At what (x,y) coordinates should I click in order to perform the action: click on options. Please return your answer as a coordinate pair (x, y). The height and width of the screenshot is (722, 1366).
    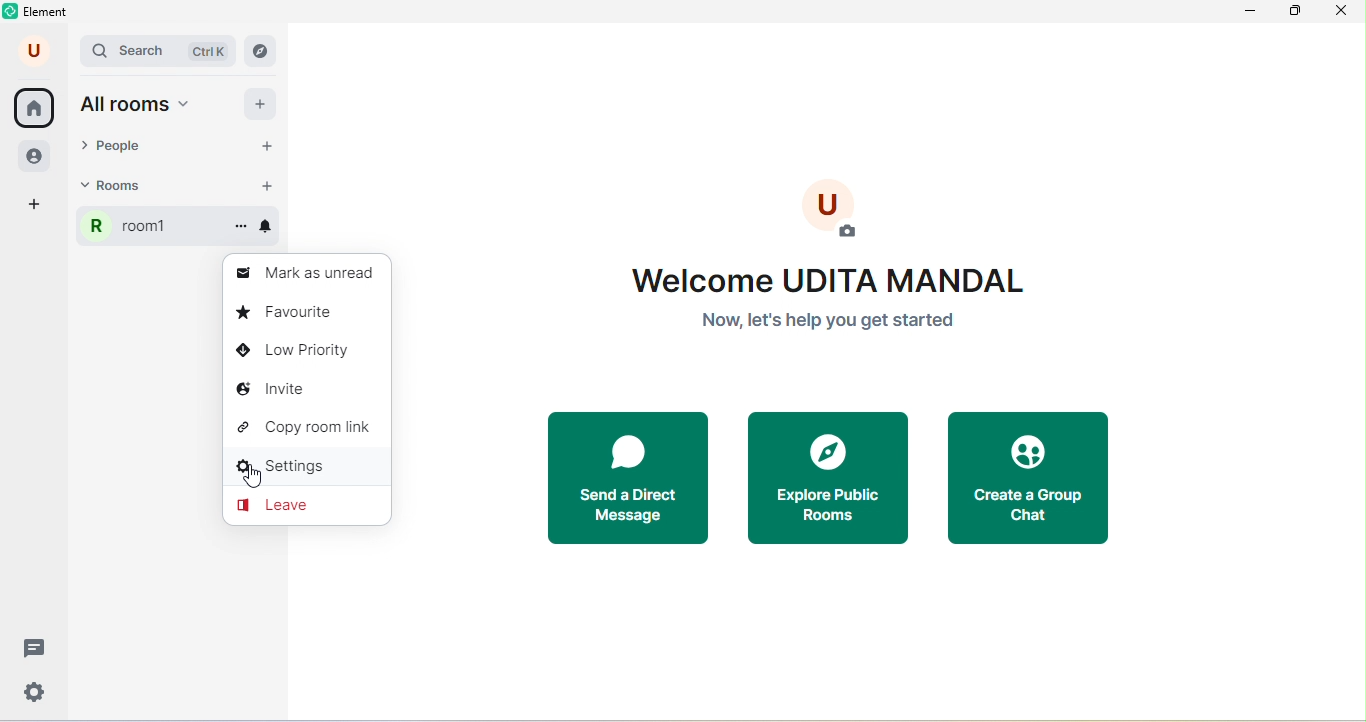
    Looking at the image, I should click on (242, 223).